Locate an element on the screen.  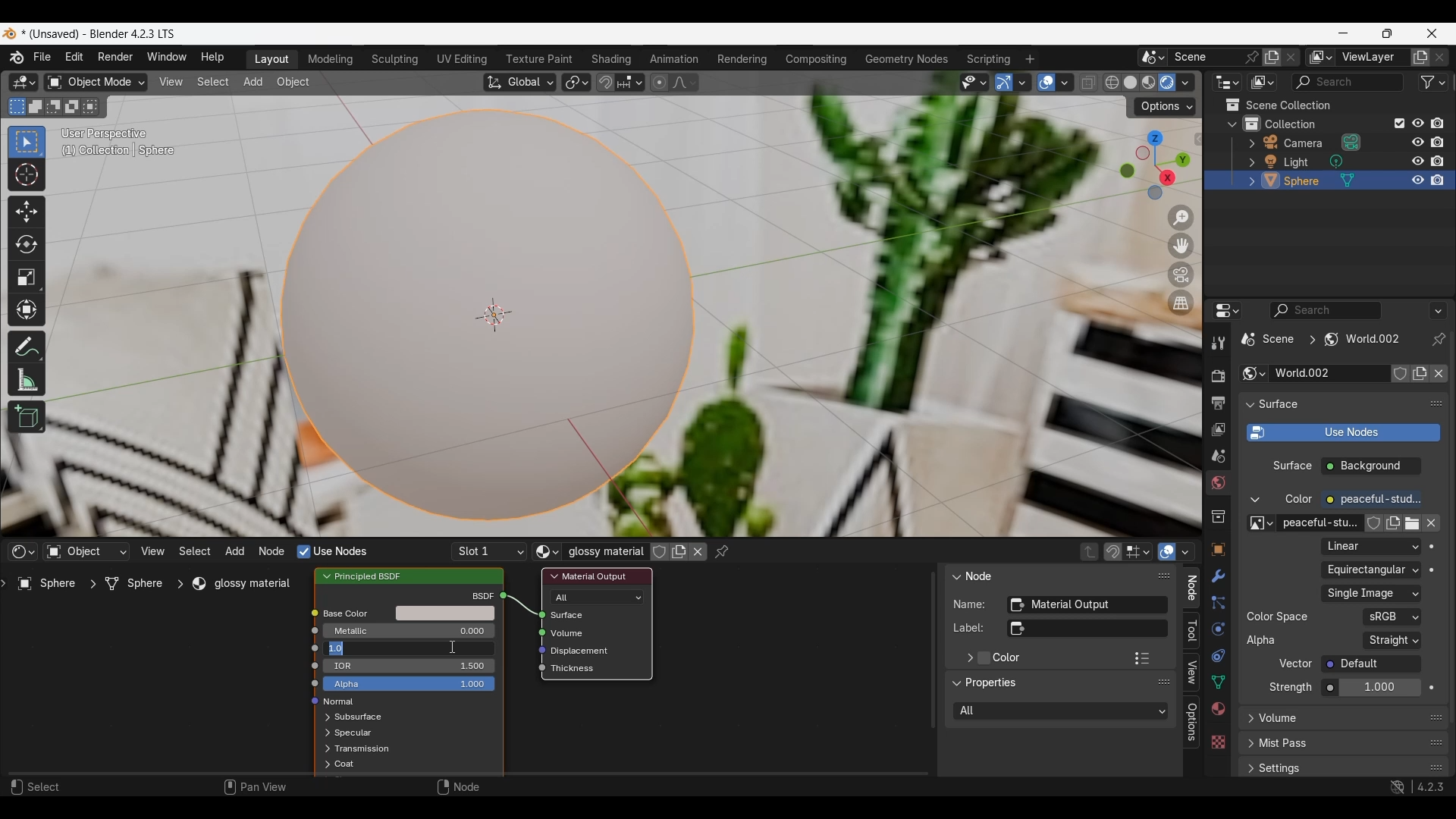
Fake user is located at coordinates (660, 552).